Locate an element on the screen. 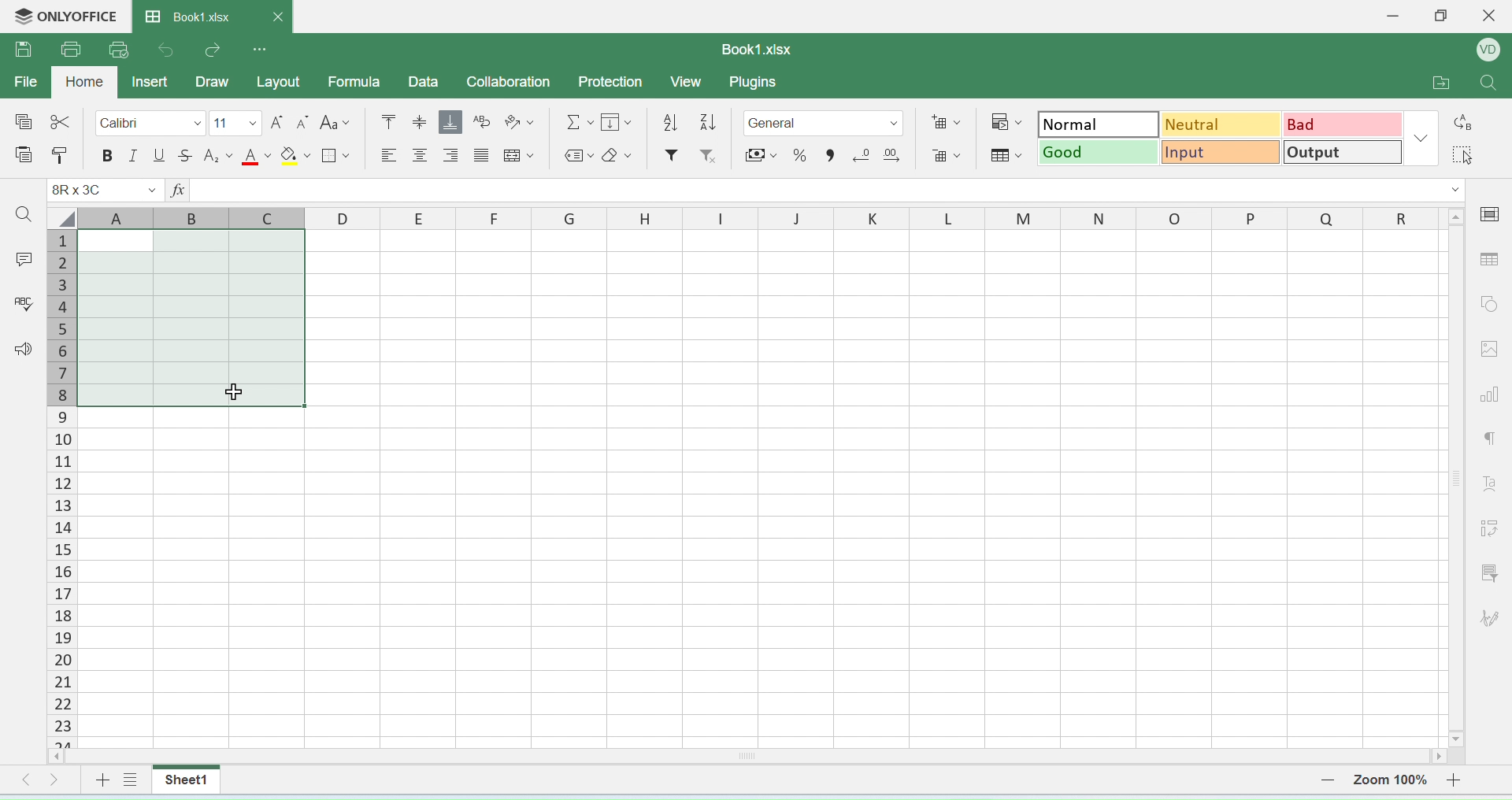  subscript is located at coordinates (217, 155).